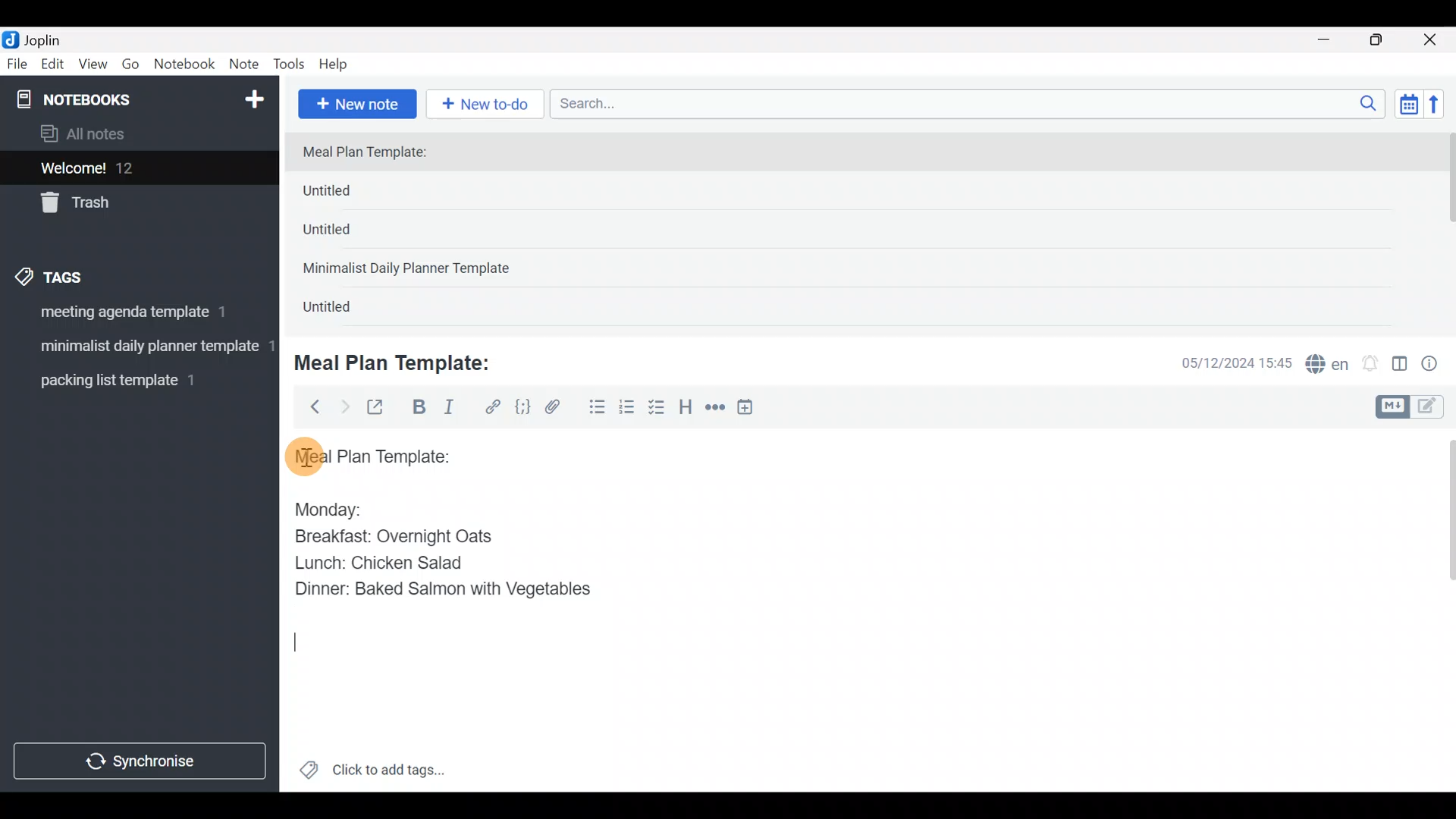 The image size is (1456, 819). I want to click on View, so click(93, 67).